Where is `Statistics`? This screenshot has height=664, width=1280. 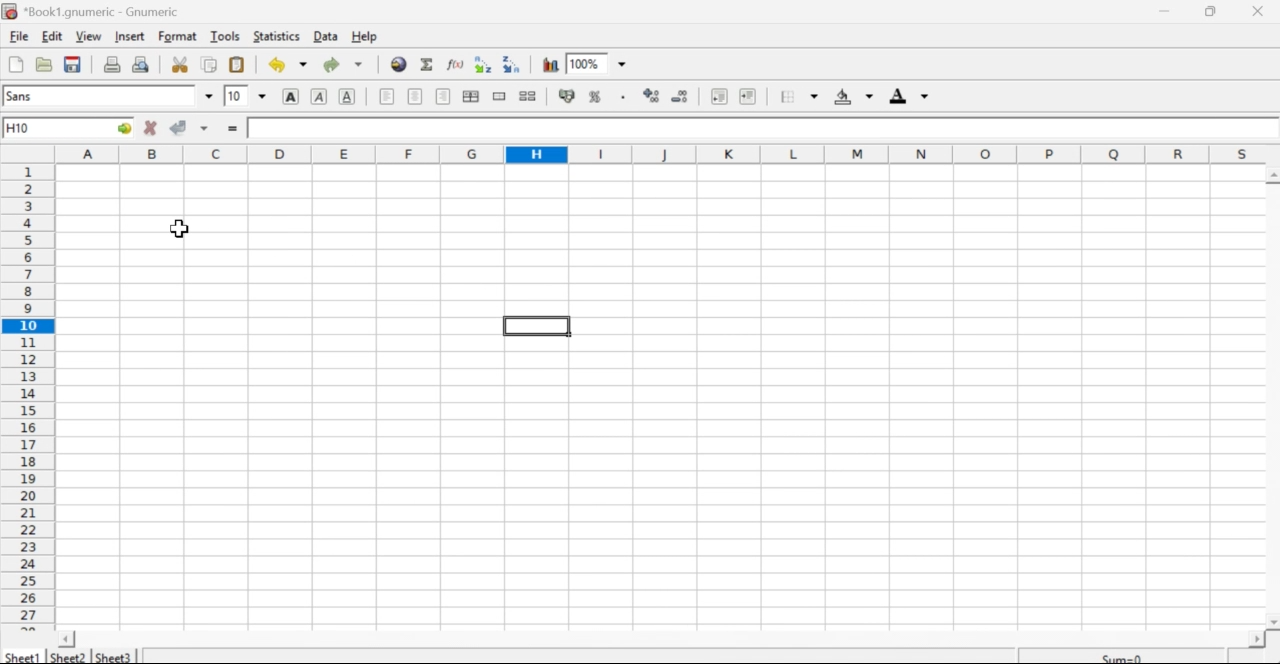
Statistics is located at coordinates (276, 36).